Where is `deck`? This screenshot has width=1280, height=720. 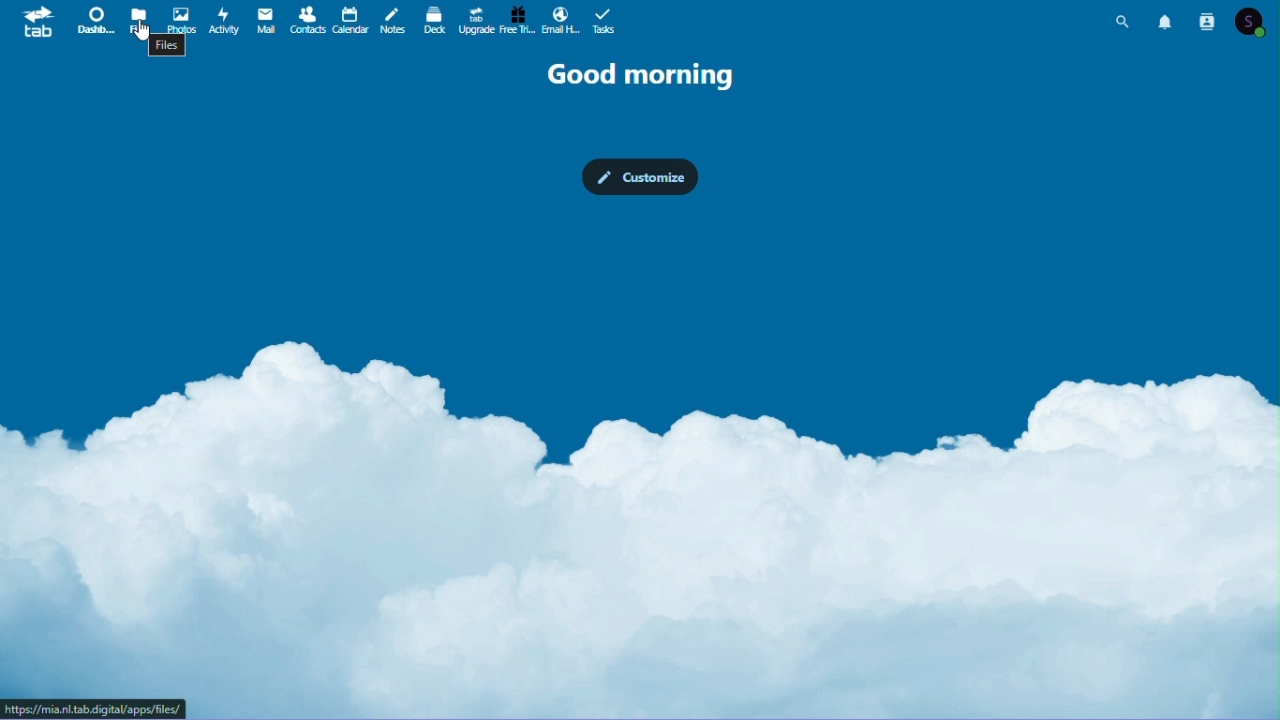 deck is located at coordinates (433, 20).